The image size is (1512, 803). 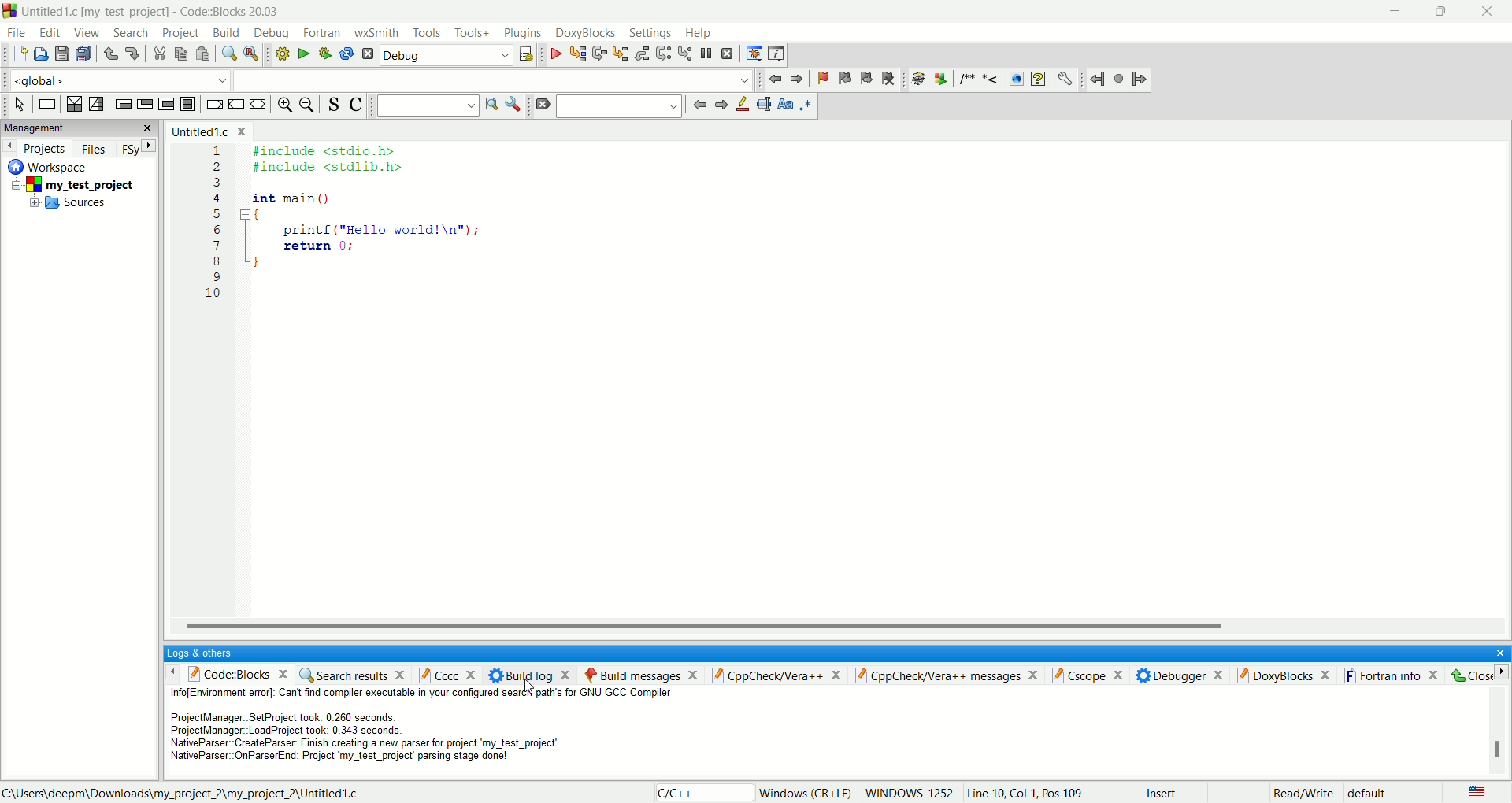 What do you see at coordinates (785, 104) in the screenshot?
I see `match case` at bounding box center [785, 104].